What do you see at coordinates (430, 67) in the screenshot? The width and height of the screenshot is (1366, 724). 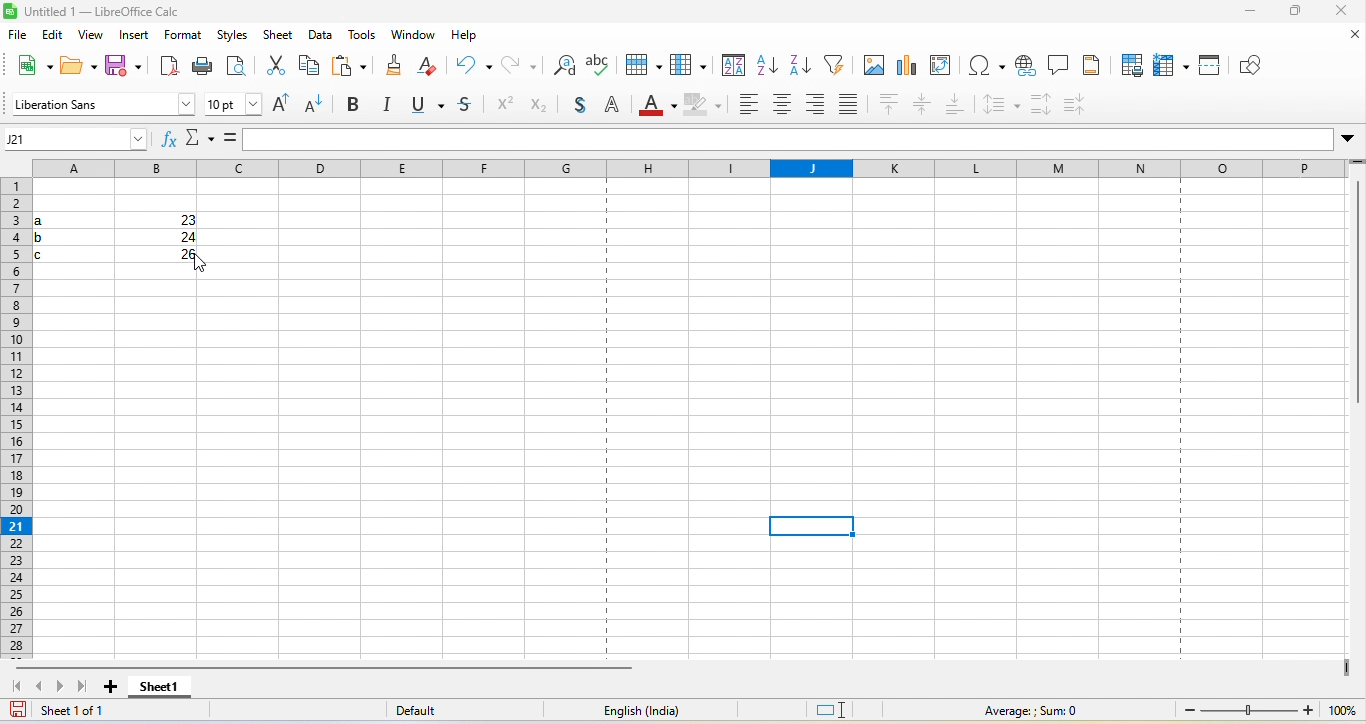 I see `clear direct formatting` at bounding box center [430, 67].